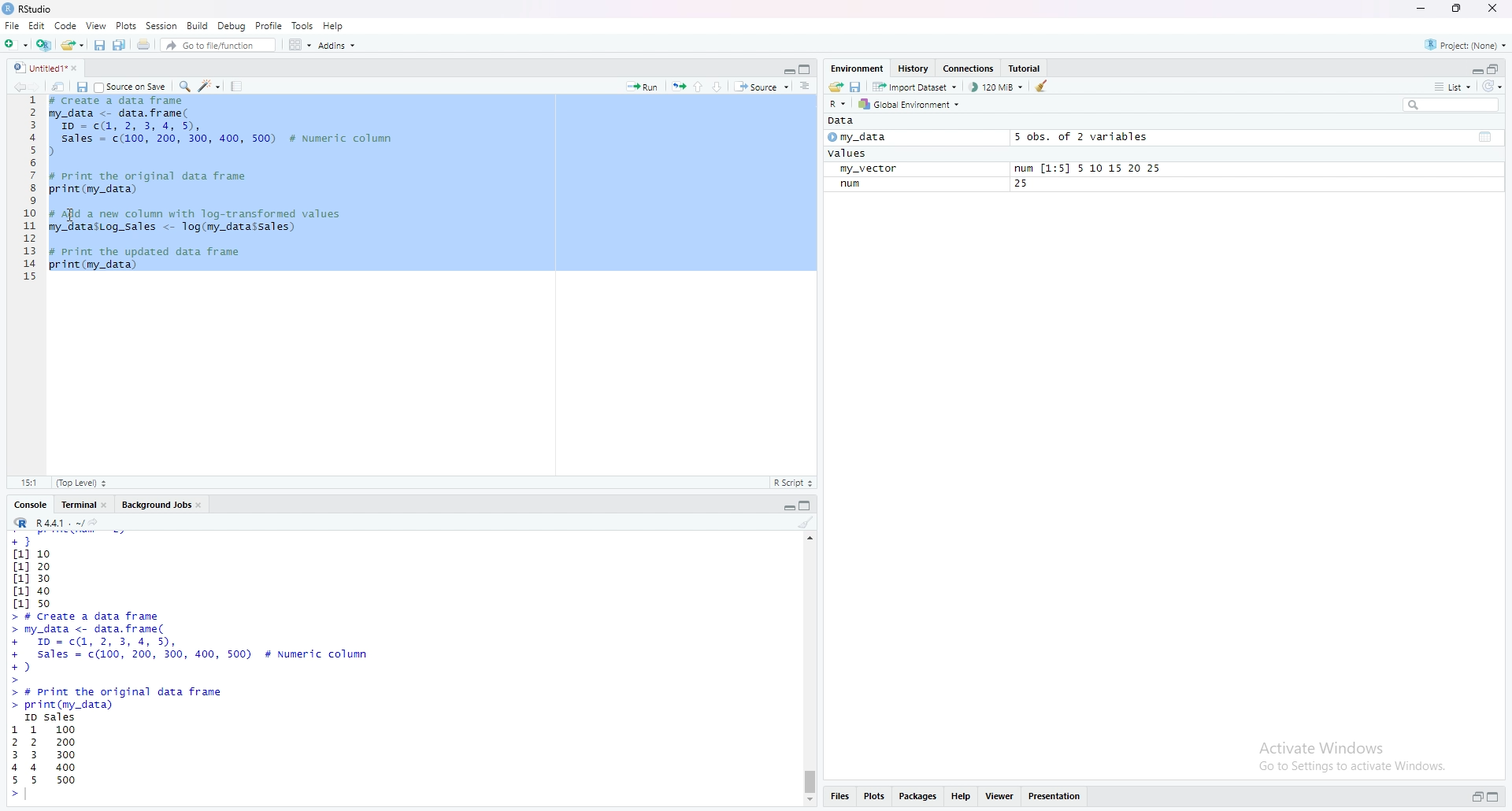 This screenshot has width=1512, height=811. Describe the element at coordinates (238, 87) in the screenshot. I see `compile report` at that location.